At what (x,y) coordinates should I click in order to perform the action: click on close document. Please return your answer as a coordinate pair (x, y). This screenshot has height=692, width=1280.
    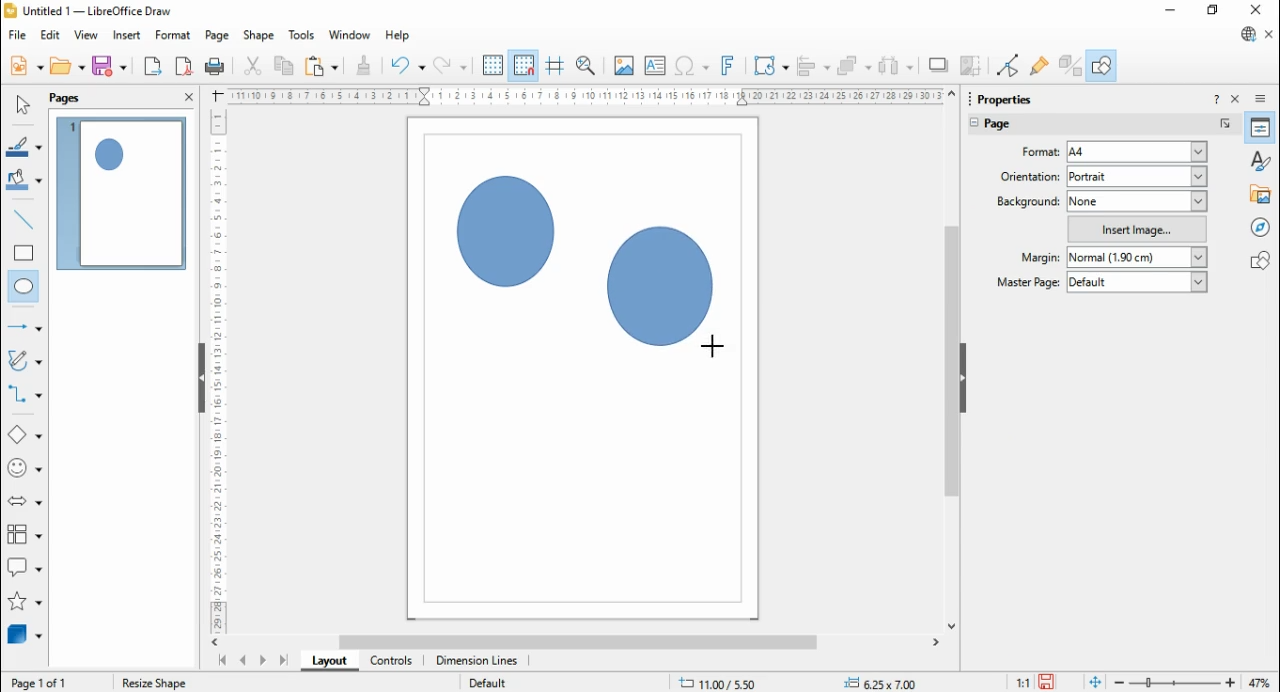
    Looking at the image, I should click on (1270, 35).